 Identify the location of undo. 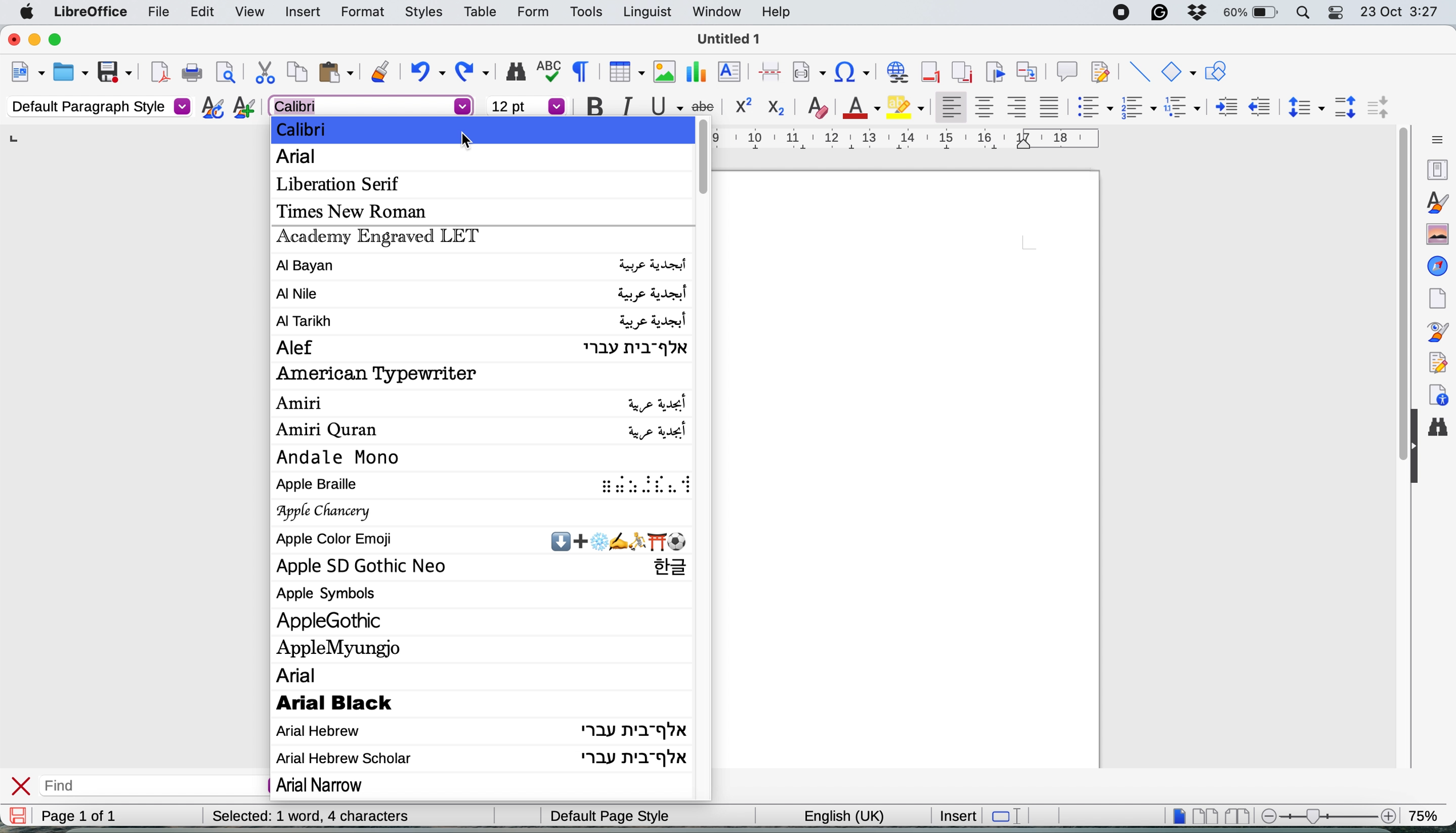
(427, 73).